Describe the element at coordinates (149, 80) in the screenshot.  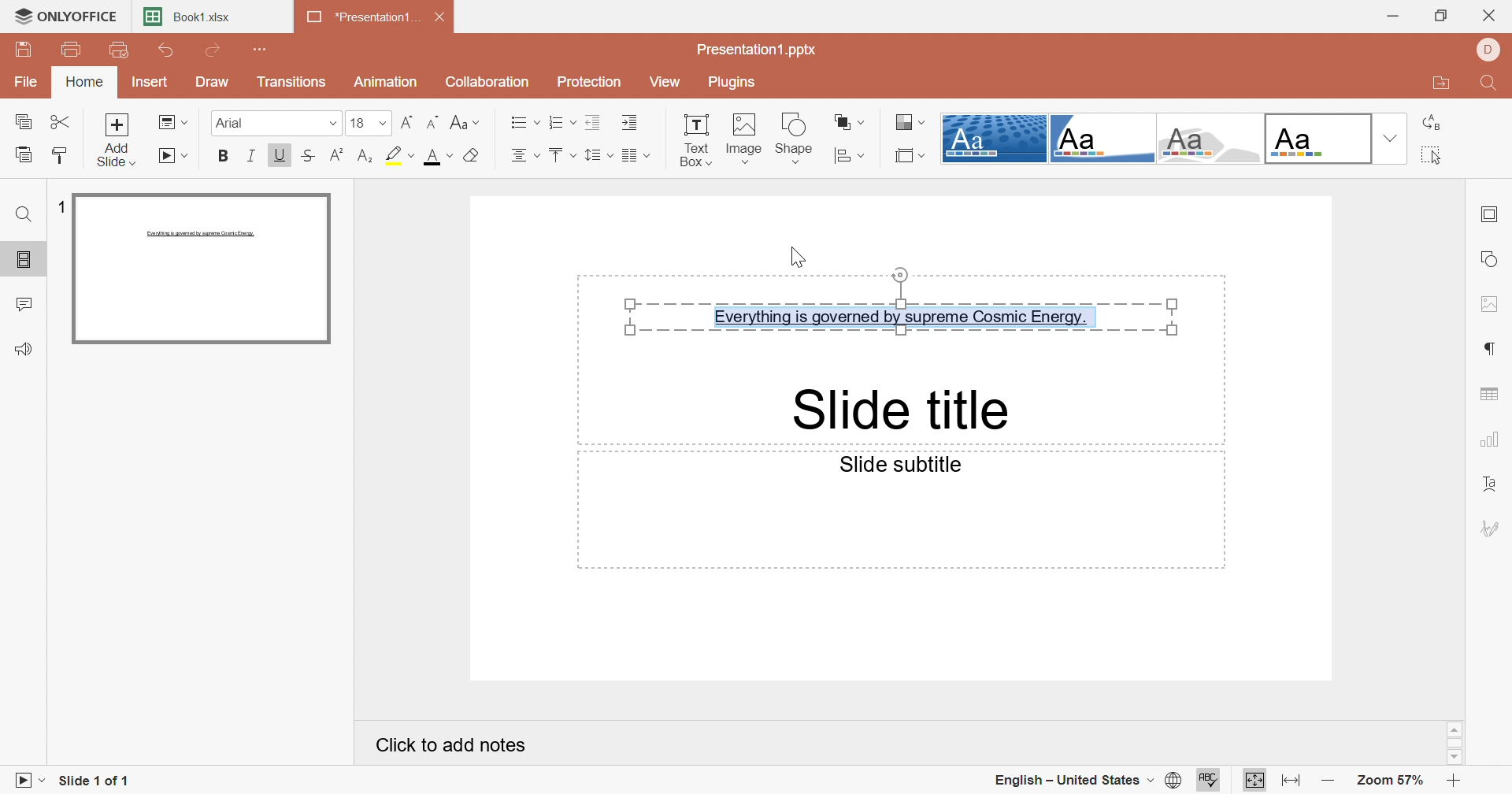
I see `Insert` at that location.